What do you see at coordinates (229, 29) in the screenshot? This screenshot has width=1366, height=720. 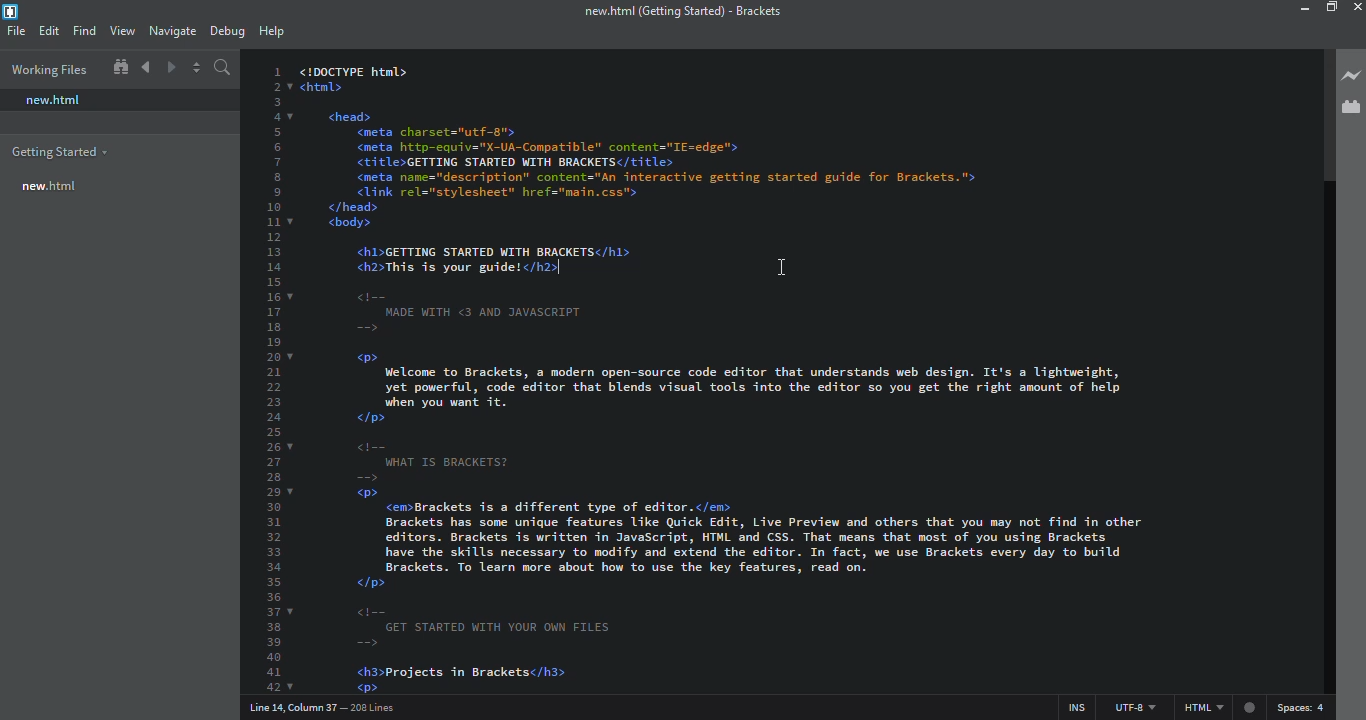 I see `debug` at bounding box center [229, 29].